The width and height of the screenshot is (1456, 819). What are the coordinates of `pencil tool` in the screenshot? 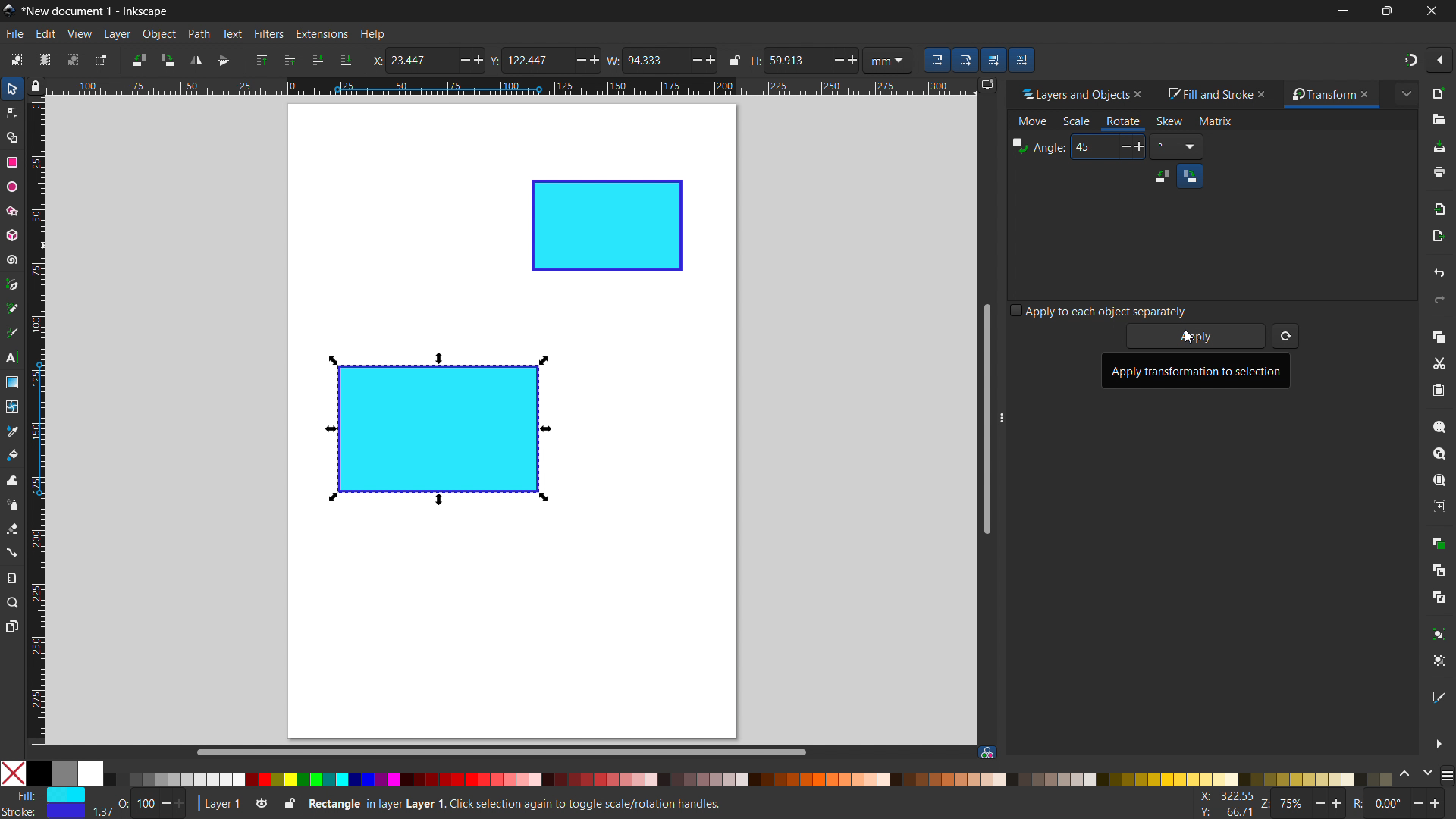 It's located at (11, 308).